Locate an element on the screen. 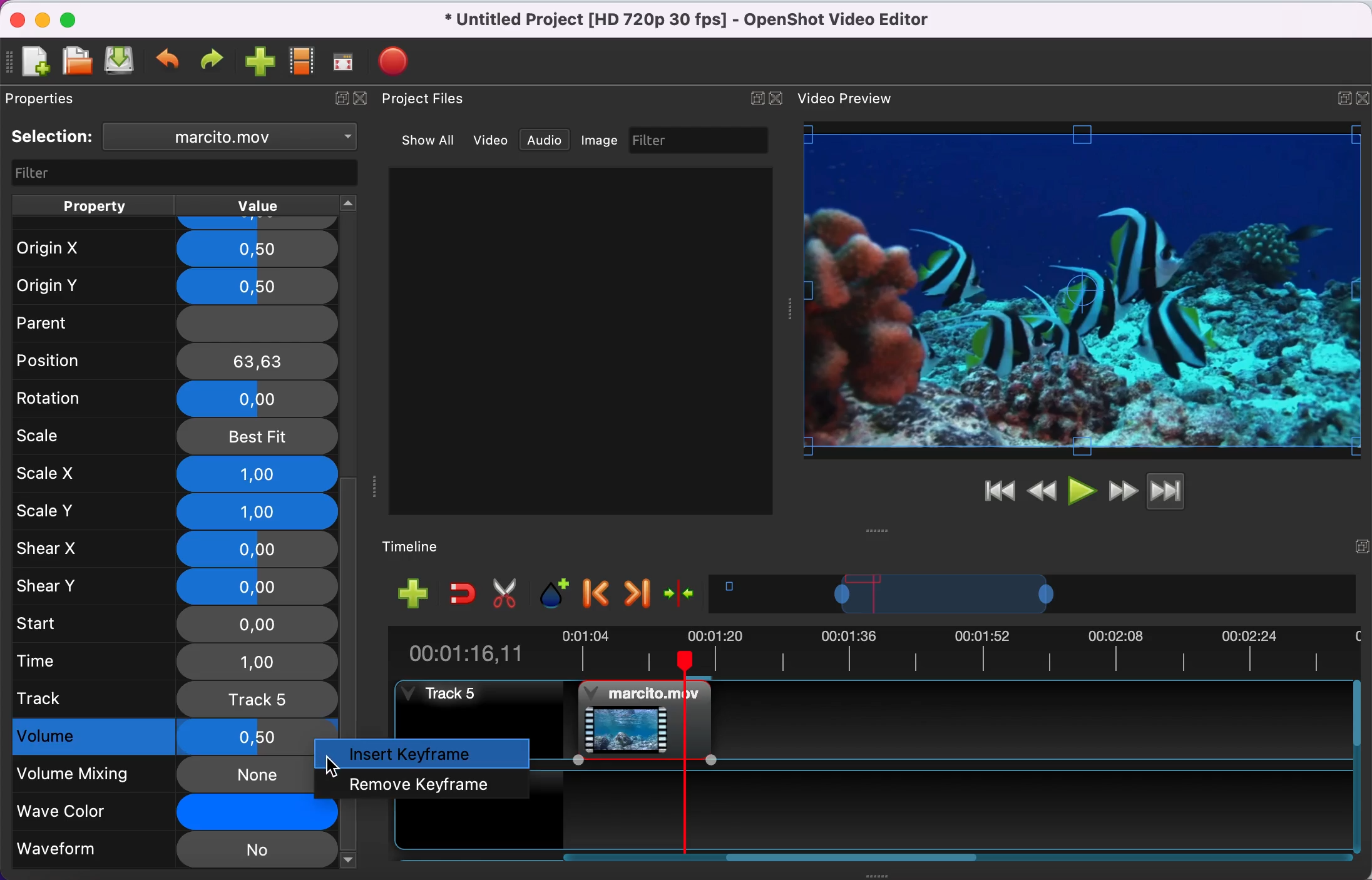 This screenshot has height=880, width=1372. scale best fit is located at coordinates (177, 436).